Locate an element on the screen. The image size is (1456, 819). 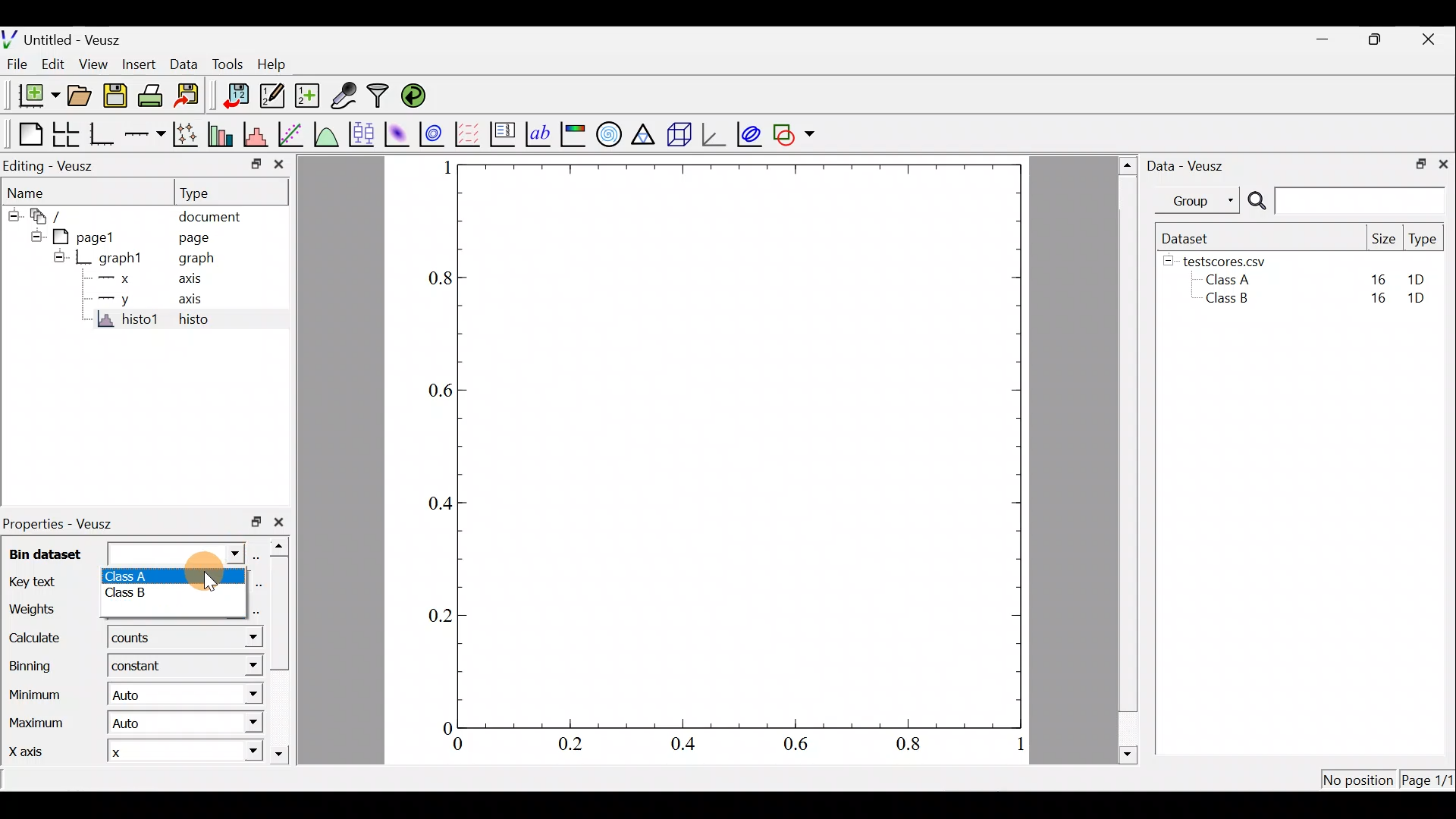
x is located at coordinates (126, 754).